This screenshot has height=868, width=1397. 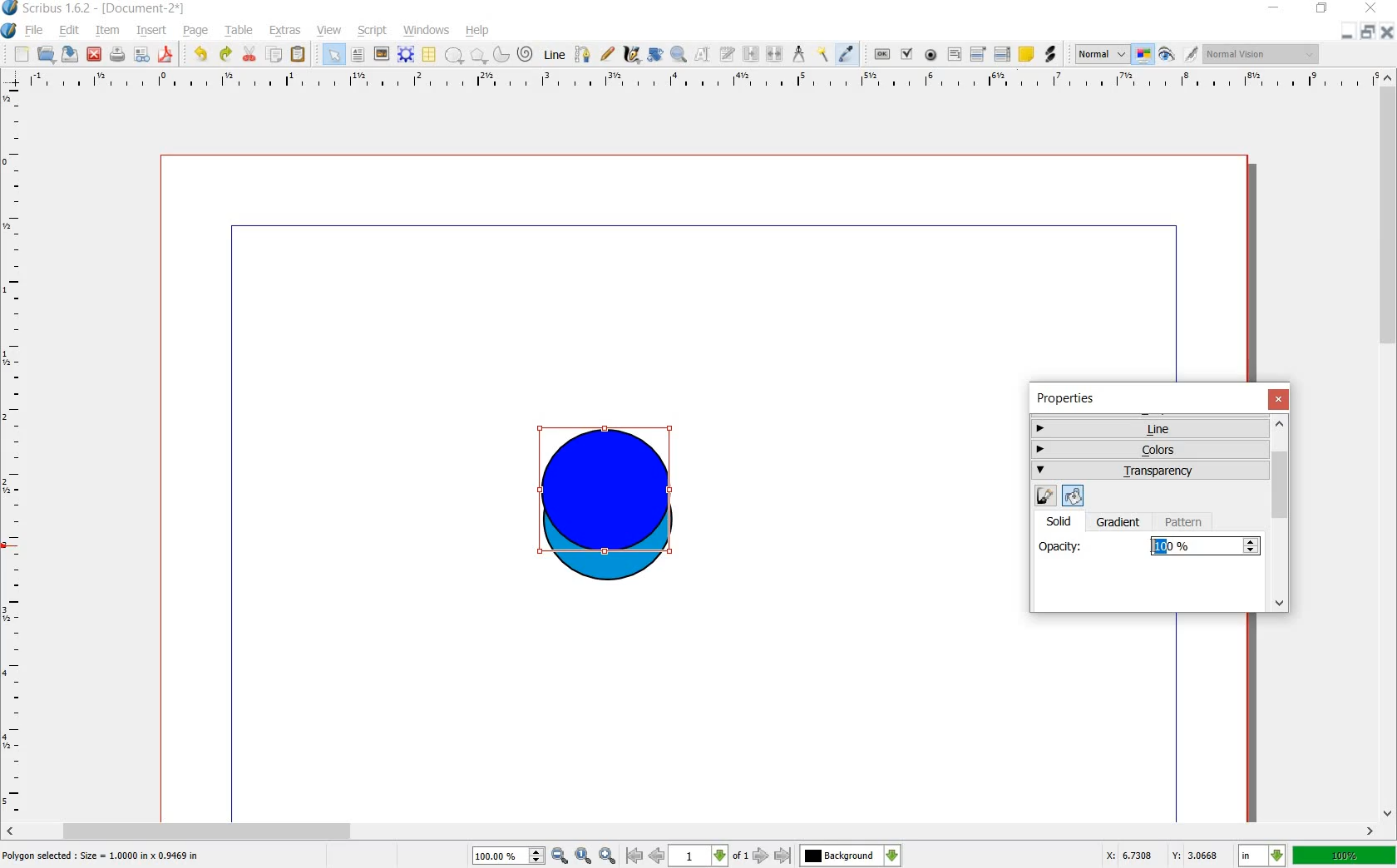 What do you see at coordinates (1071, 398) in the screenshot?
I see `properties` at bounding box center [1071, 398].